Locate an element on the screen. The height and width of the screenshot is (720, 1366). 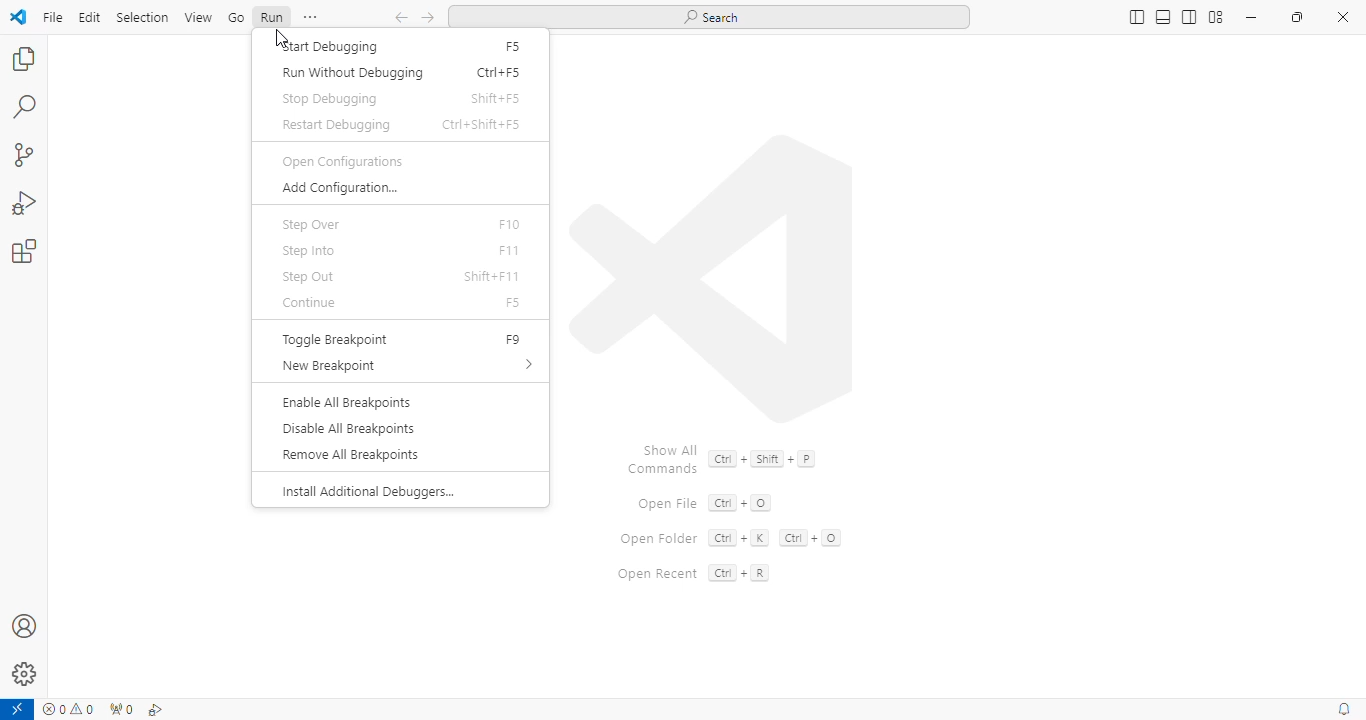
search is located at coordinates (26, 106).